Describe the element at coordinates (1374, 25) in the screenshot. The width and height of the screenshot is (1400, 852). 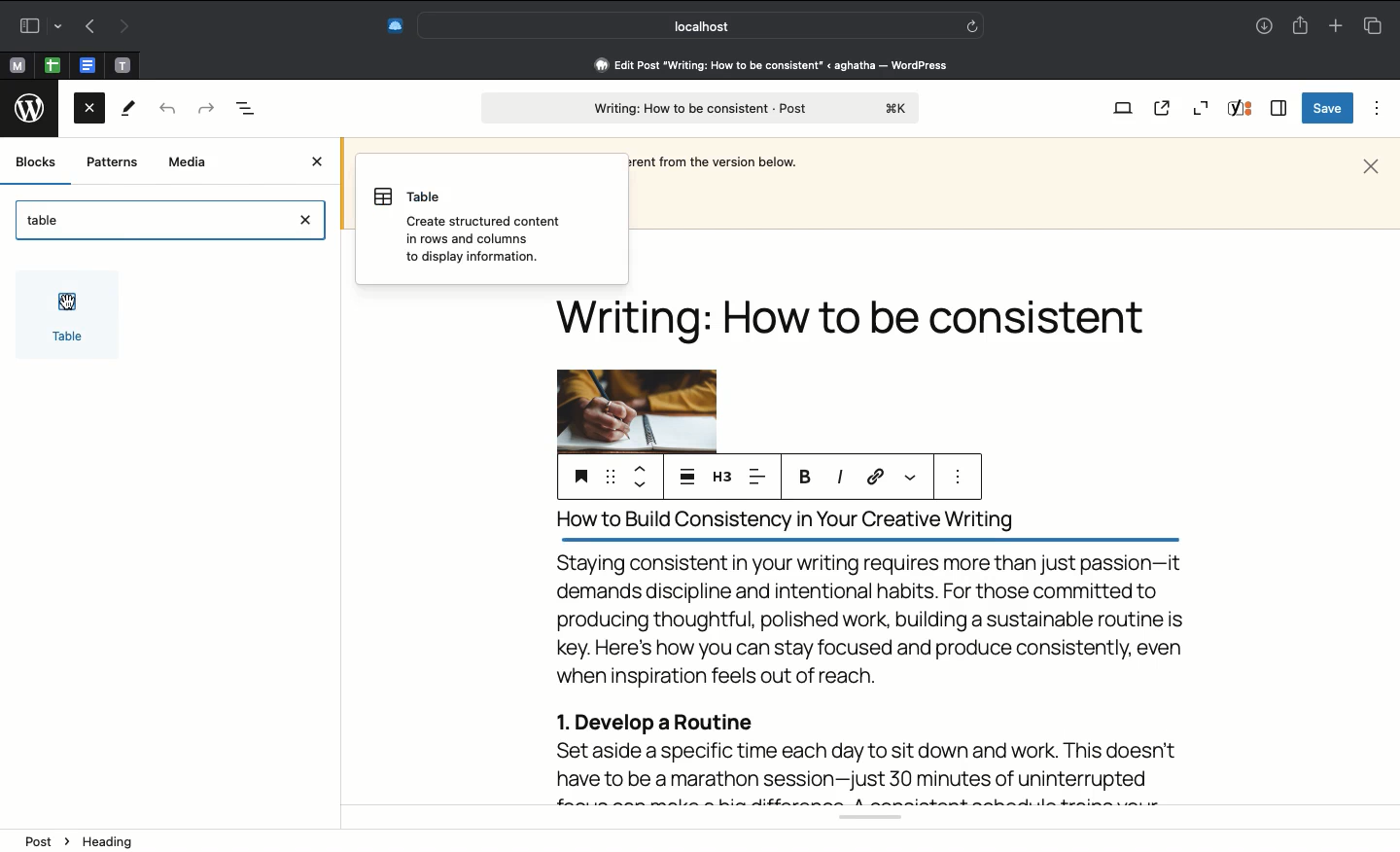
I see `Tabs` at that location.